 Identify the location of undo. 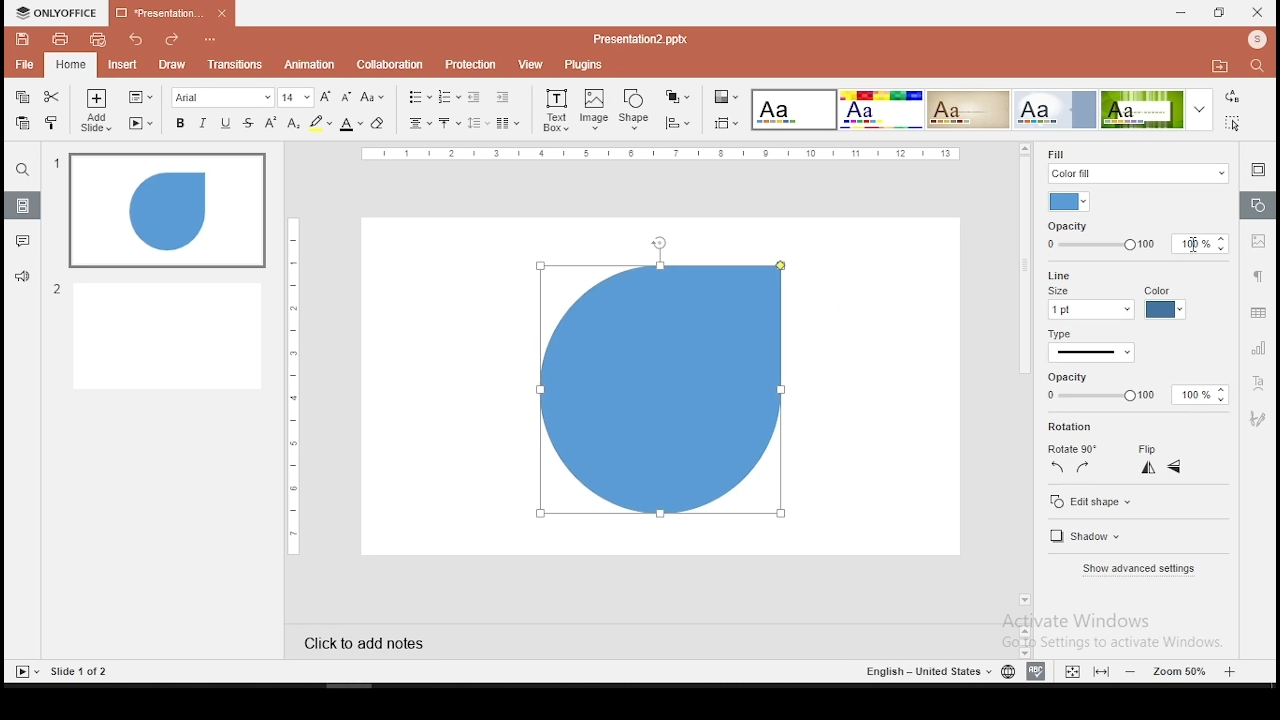
(134, 39).